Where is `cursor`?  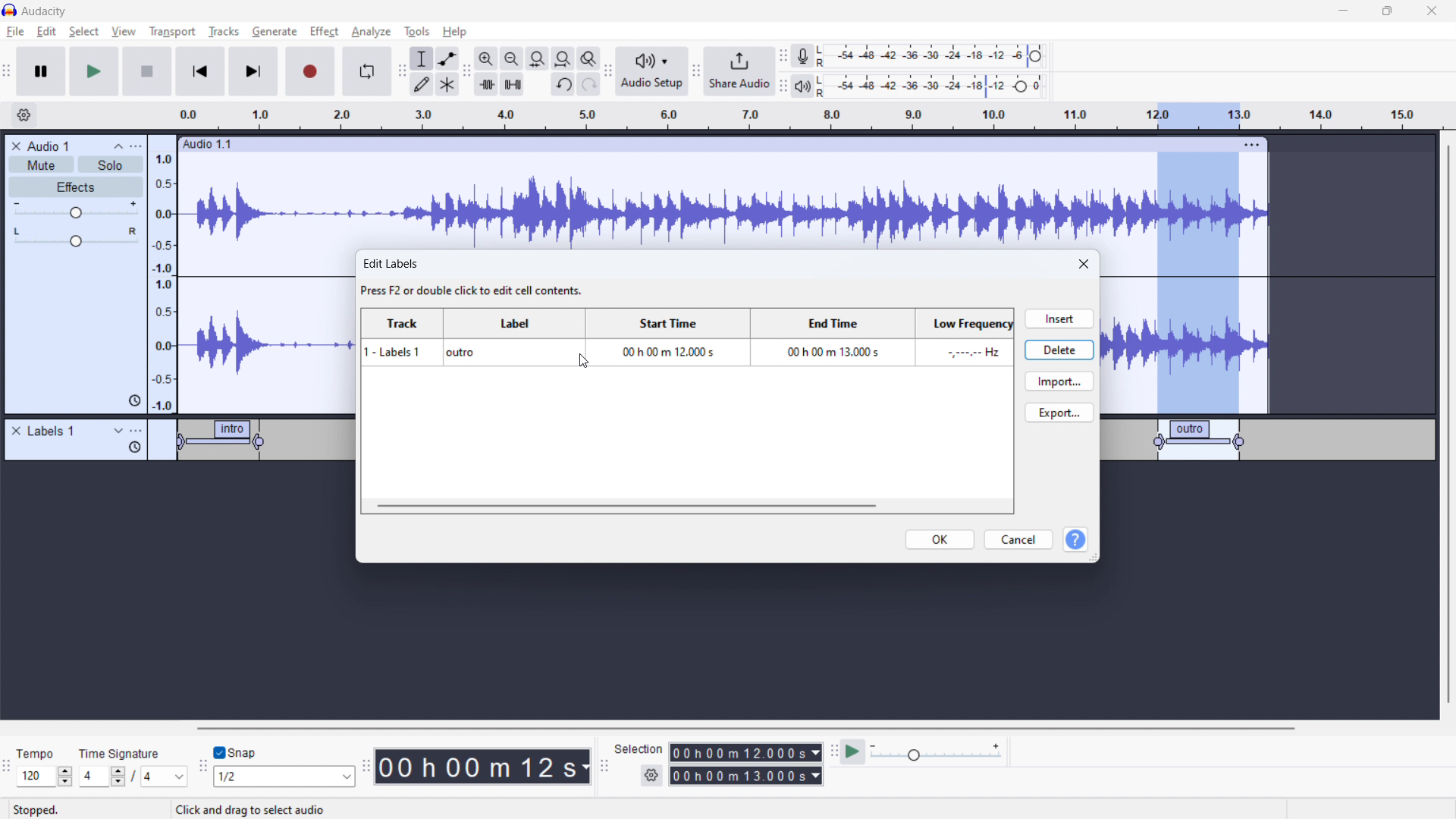
cursor is located at coordinates (583, 362).